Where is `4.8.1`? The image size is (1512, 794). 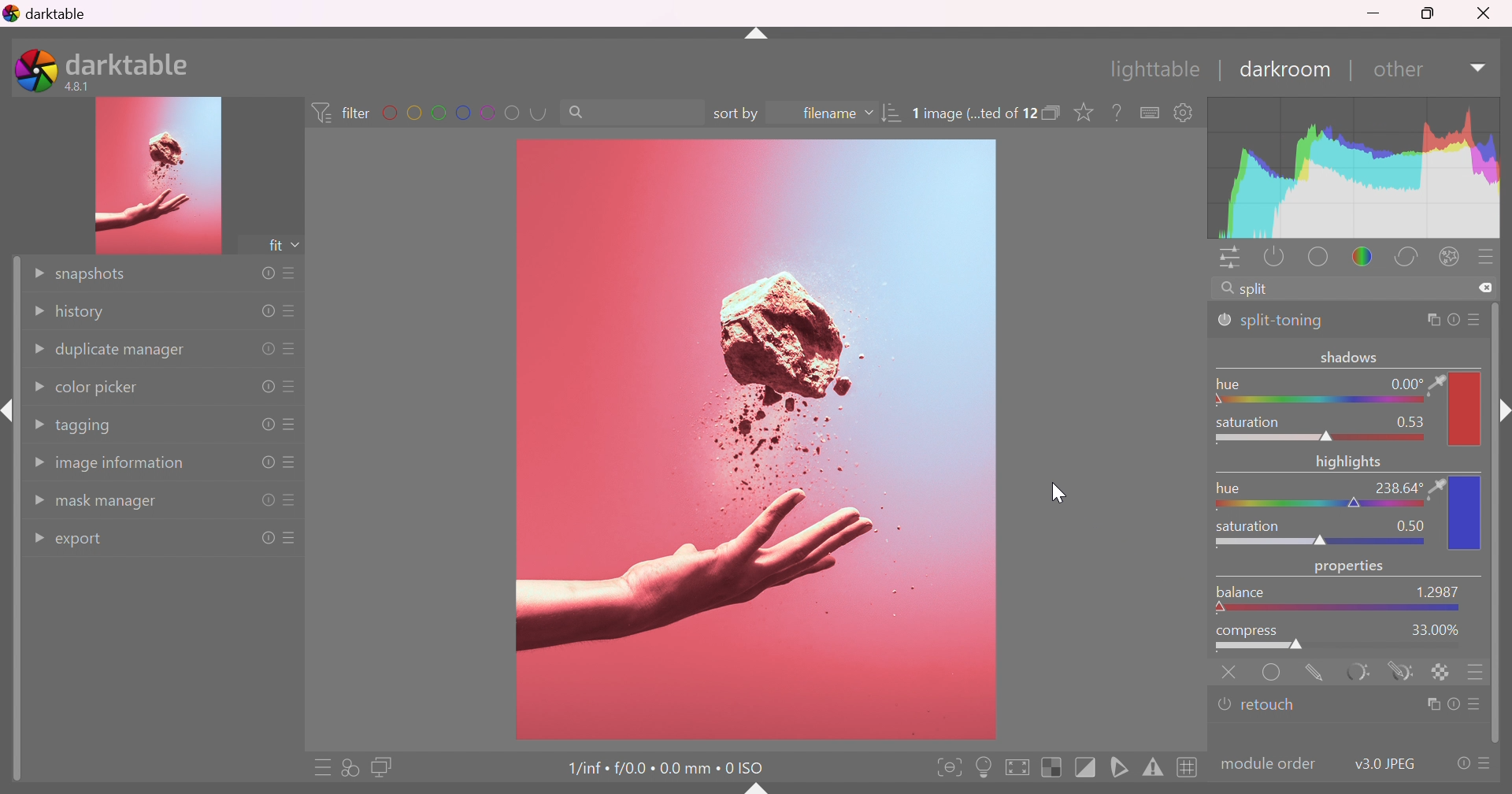
4.8.1 is located at coordinates (82, 86).